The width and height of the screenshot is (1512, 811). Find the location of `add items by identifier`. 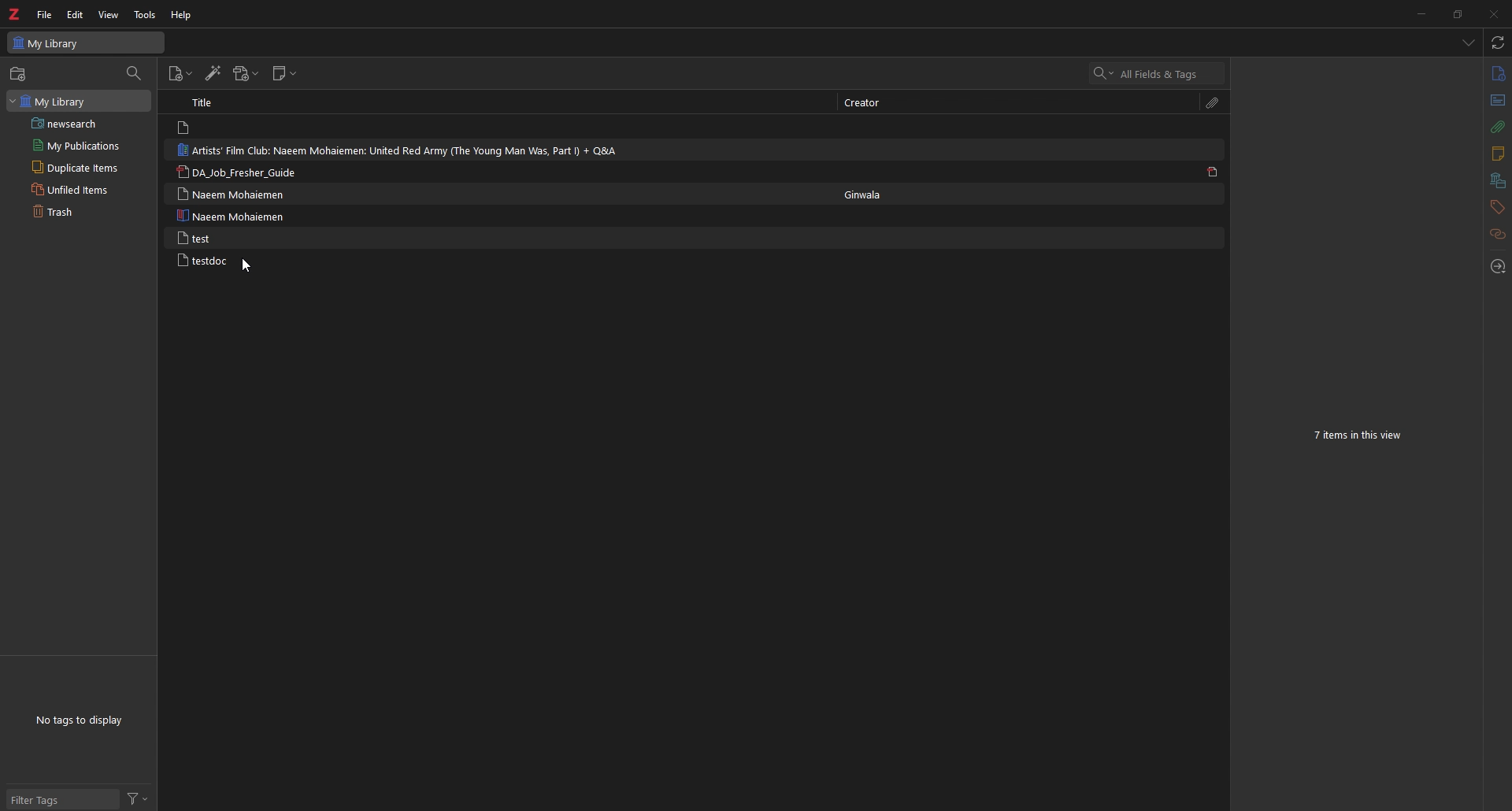

add items by identifier is located at coordinates (212, 72).